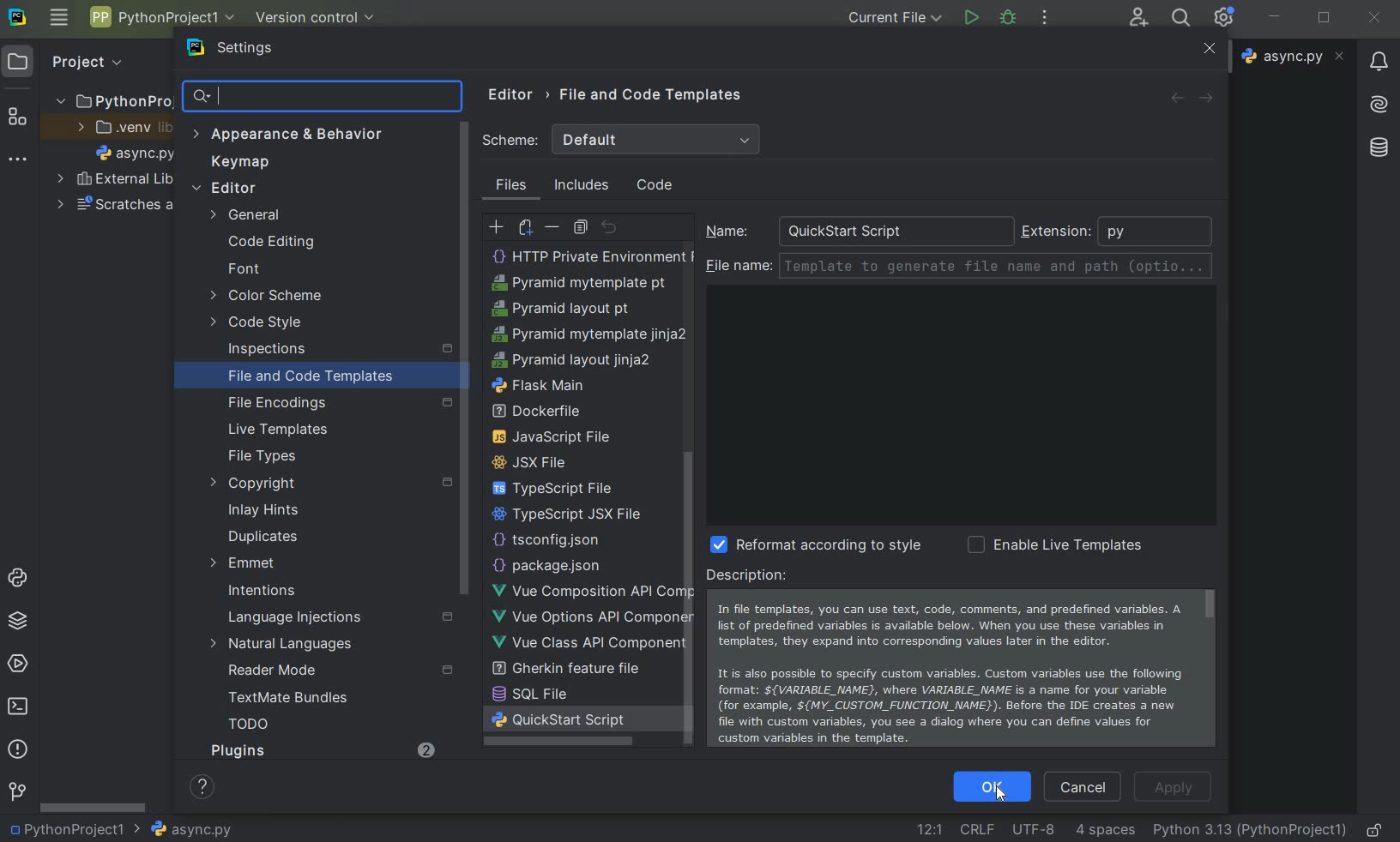  Describe the element at coordinates (1210, 55) in the screenshot. I see `Close` at that location.